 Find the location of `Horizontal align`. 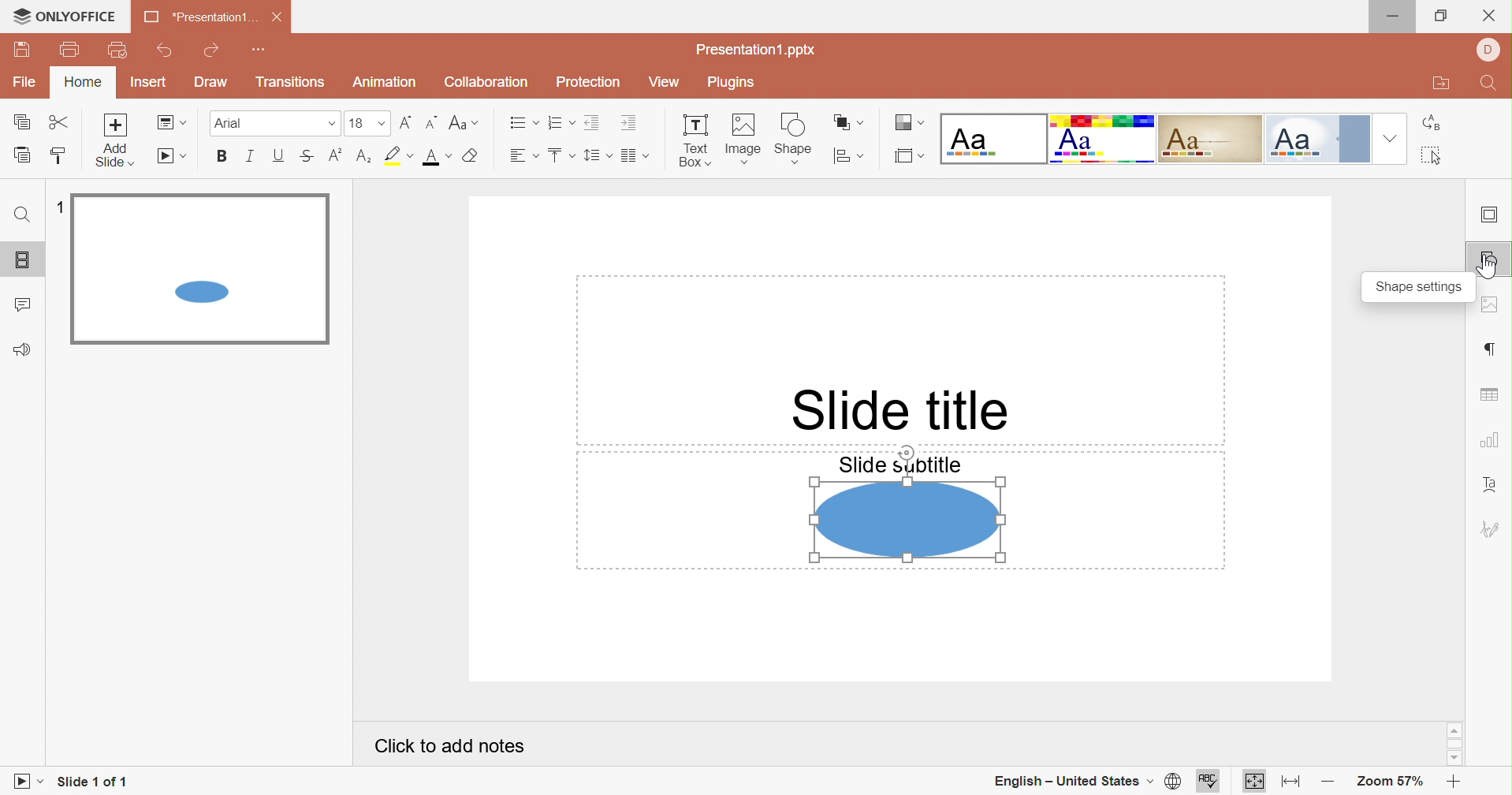

Horizontal align is located at coordinates (521, 156).